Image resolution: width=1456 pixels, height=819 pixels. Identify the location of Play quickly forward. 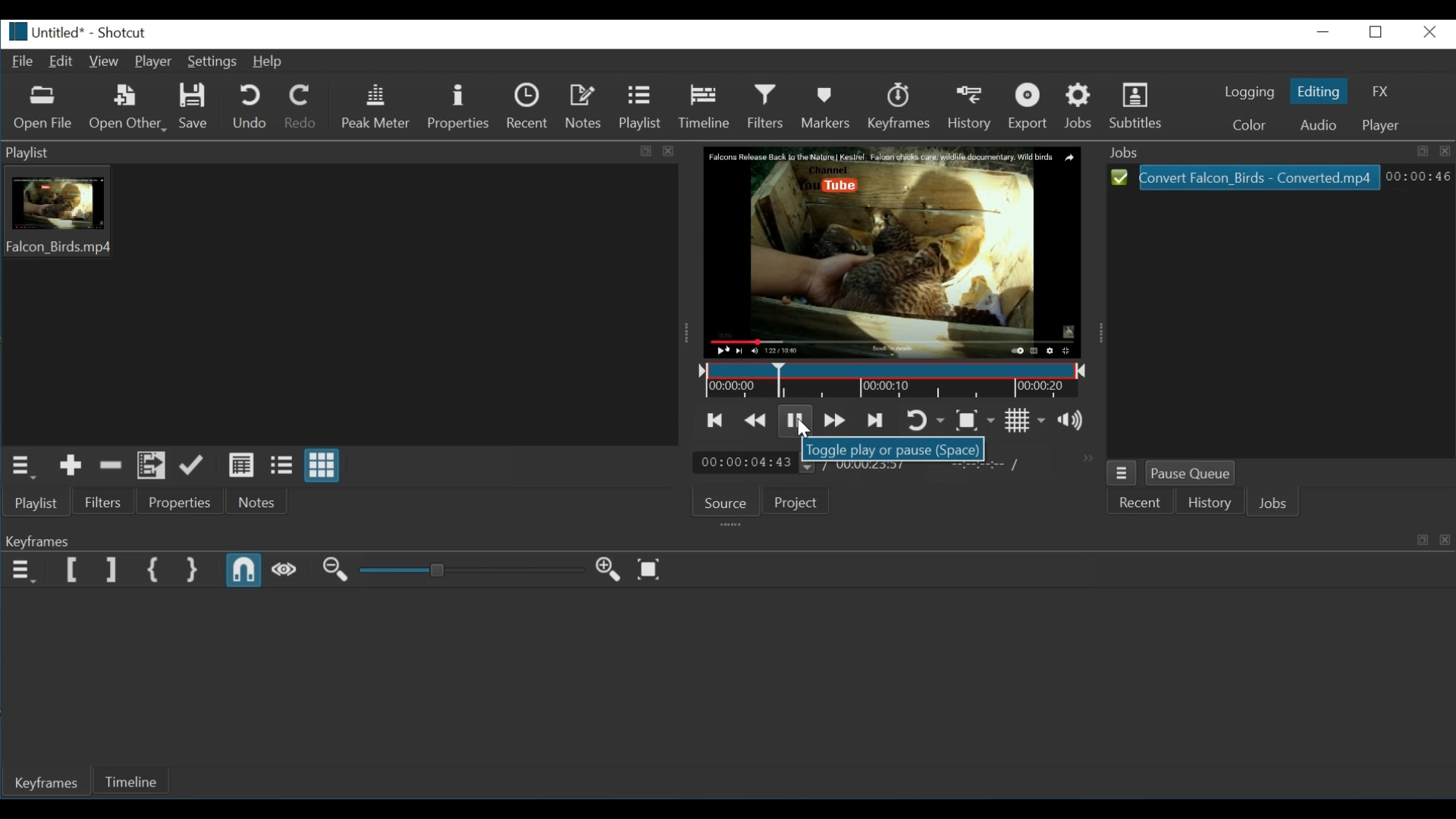
(833, 420).